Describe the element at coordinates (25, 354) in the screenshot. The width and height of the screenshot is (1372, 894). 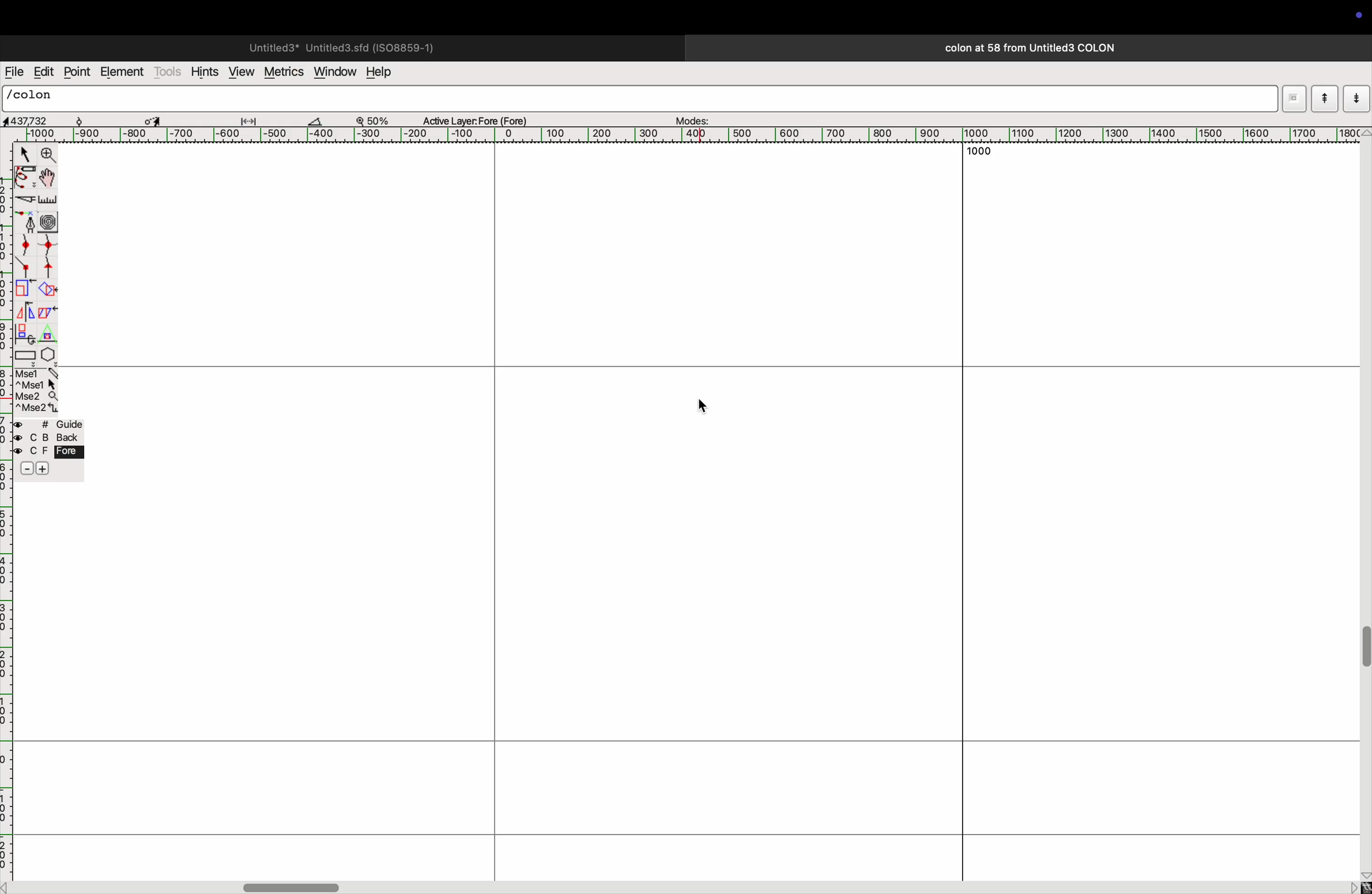
I see `rectangle` at that location.